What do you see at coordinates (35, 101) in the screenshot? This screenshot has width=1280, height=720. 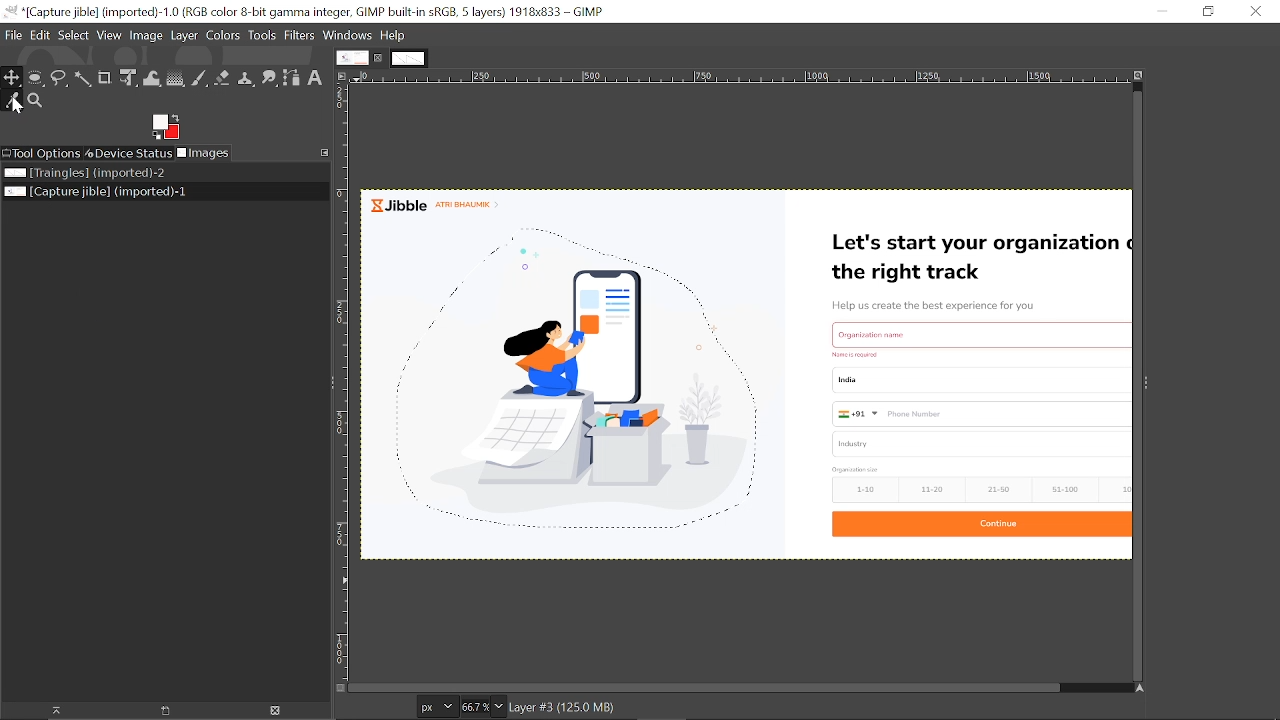 I see `Zoom tool` at bounding box center [35, 101].